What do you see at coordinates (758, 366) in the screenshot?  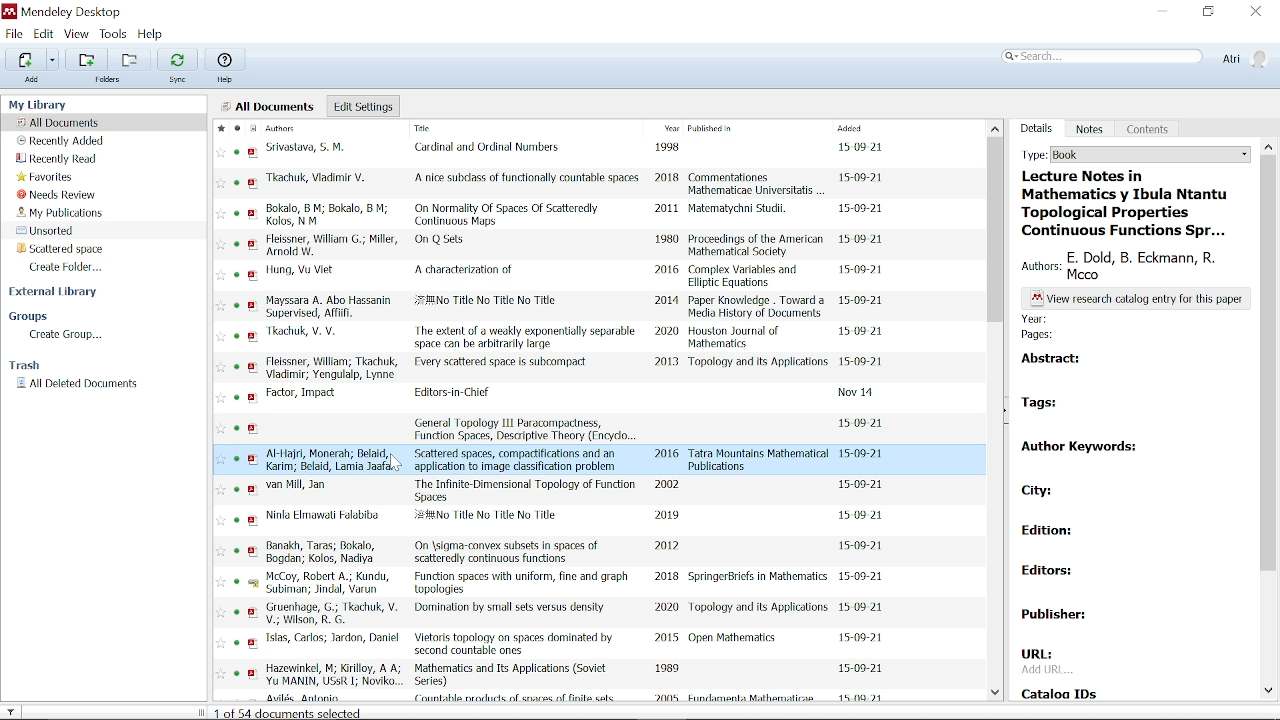 I see `Topology and its Applications` at bounding box center [758, 366].